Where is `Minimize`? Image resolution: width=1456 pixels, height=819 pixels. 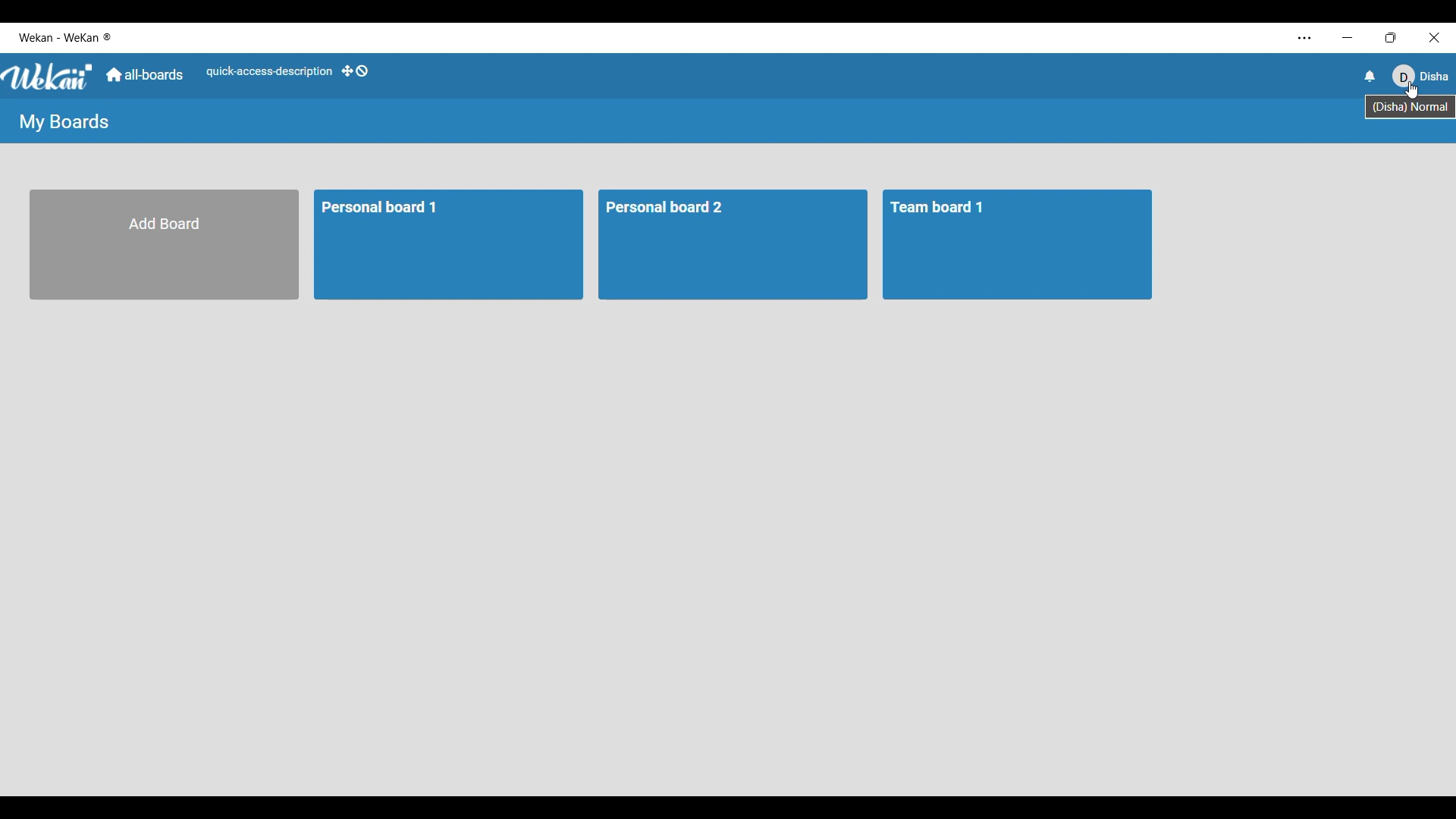
Minimize is located at coordinates (1345, 37).